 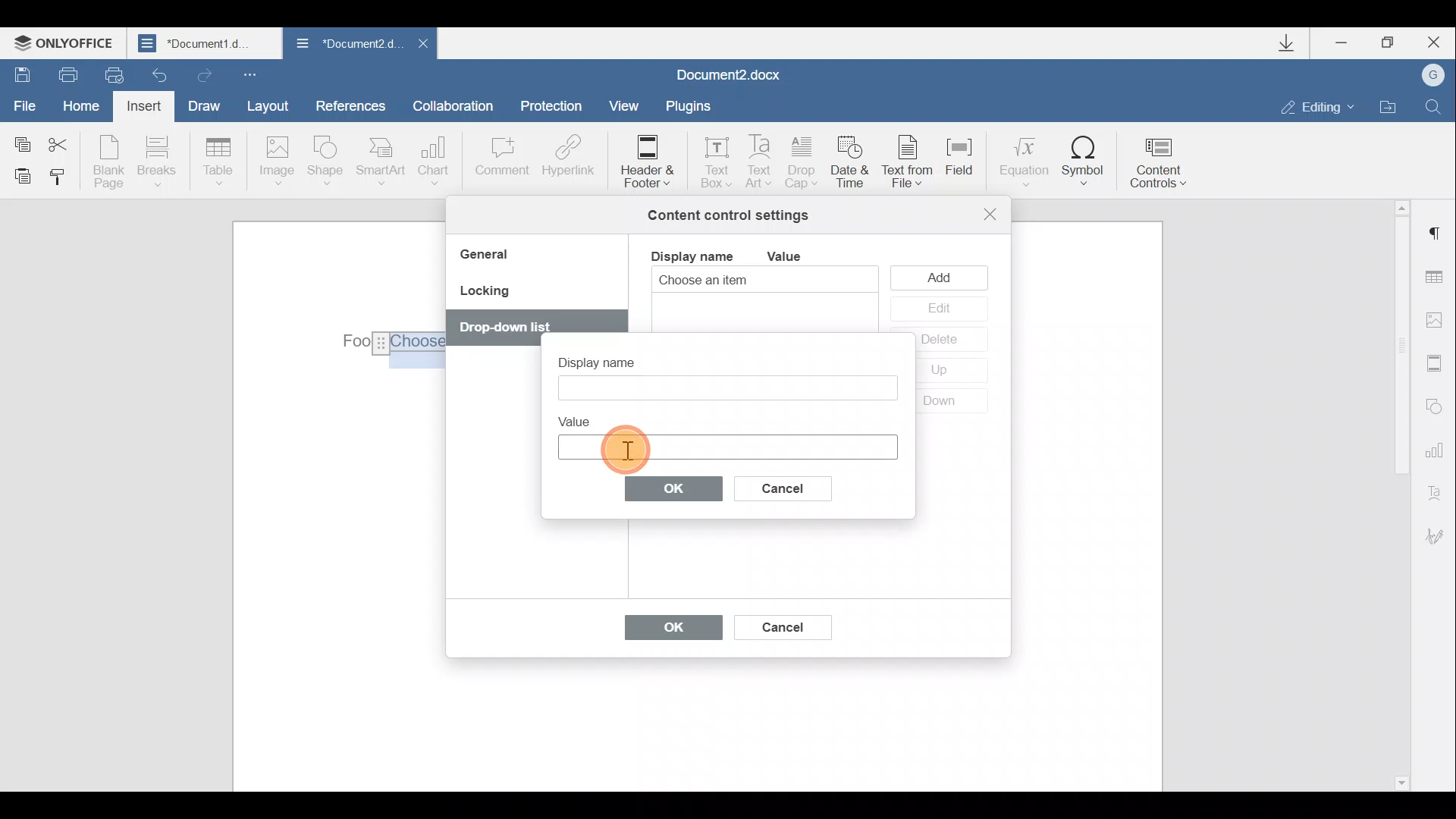 I want to click on Display name, so click(x=610, y=358).